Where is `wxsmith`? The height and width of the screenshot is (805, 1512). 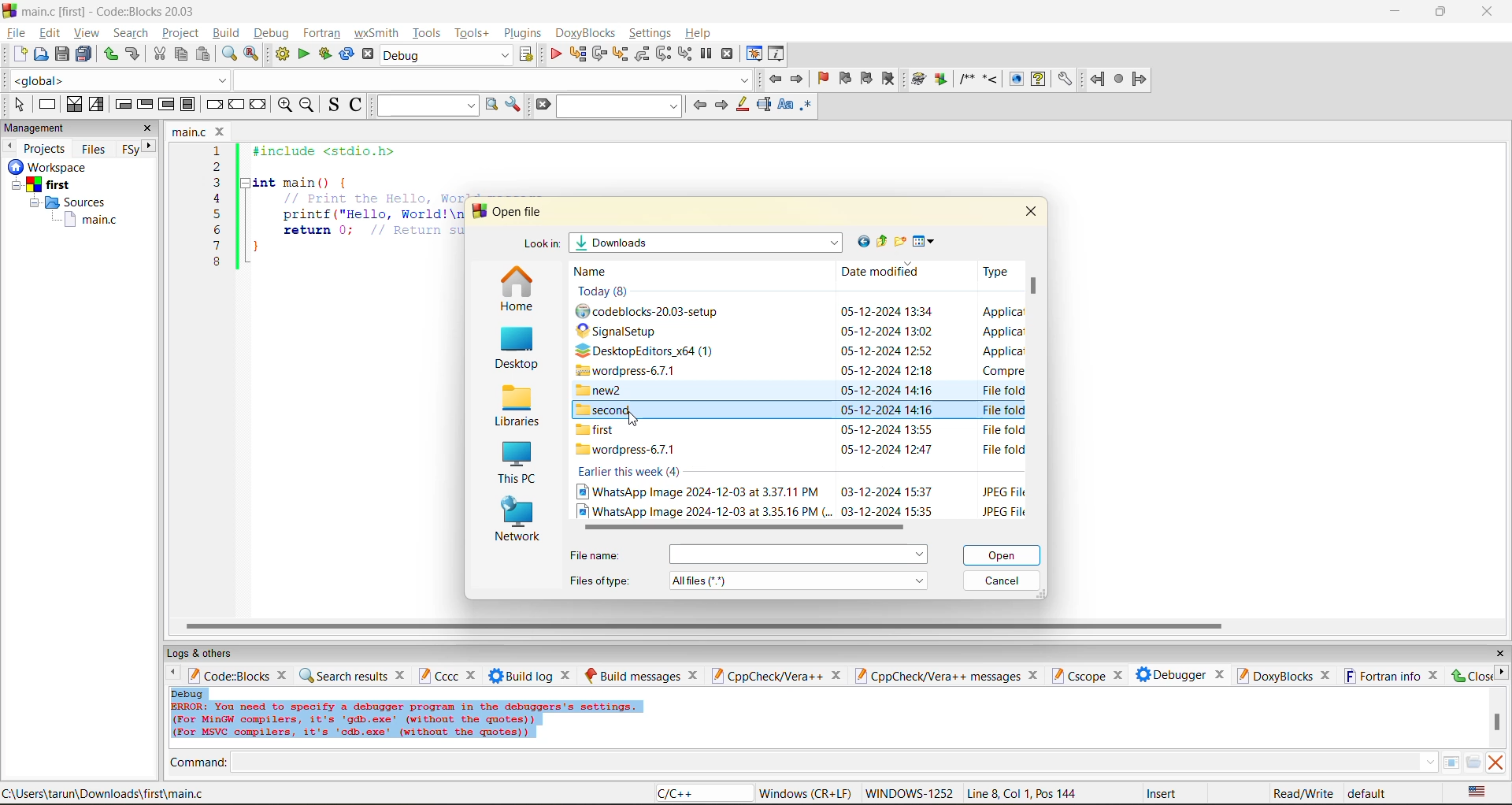 wxsmith is located at coordinates (377, 33).